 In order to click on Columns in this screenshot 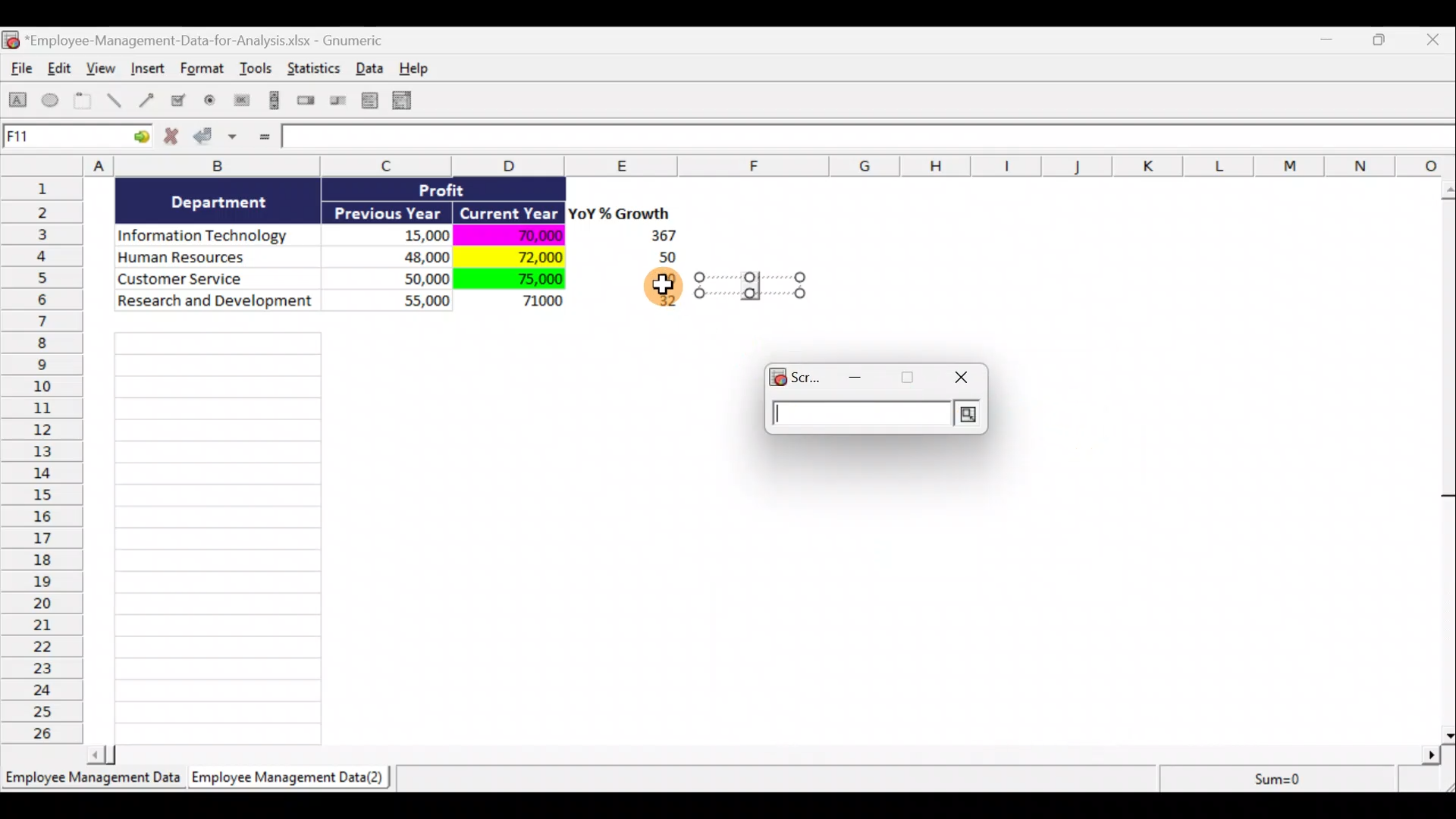, I will do `click(733, 165)`.